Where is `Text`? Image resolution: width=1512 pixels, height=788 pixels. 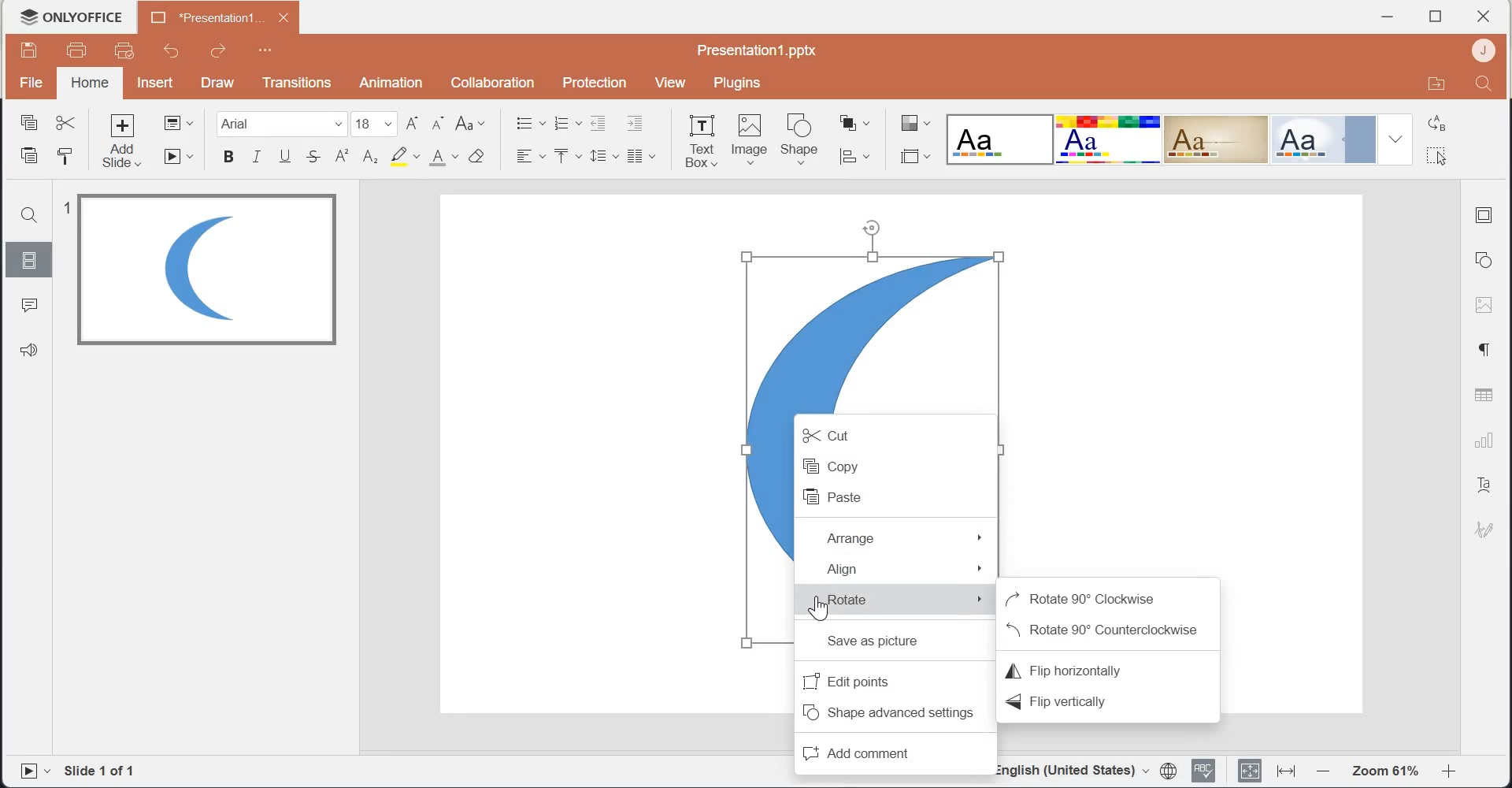 Text is located at coordinates (1488, 483).